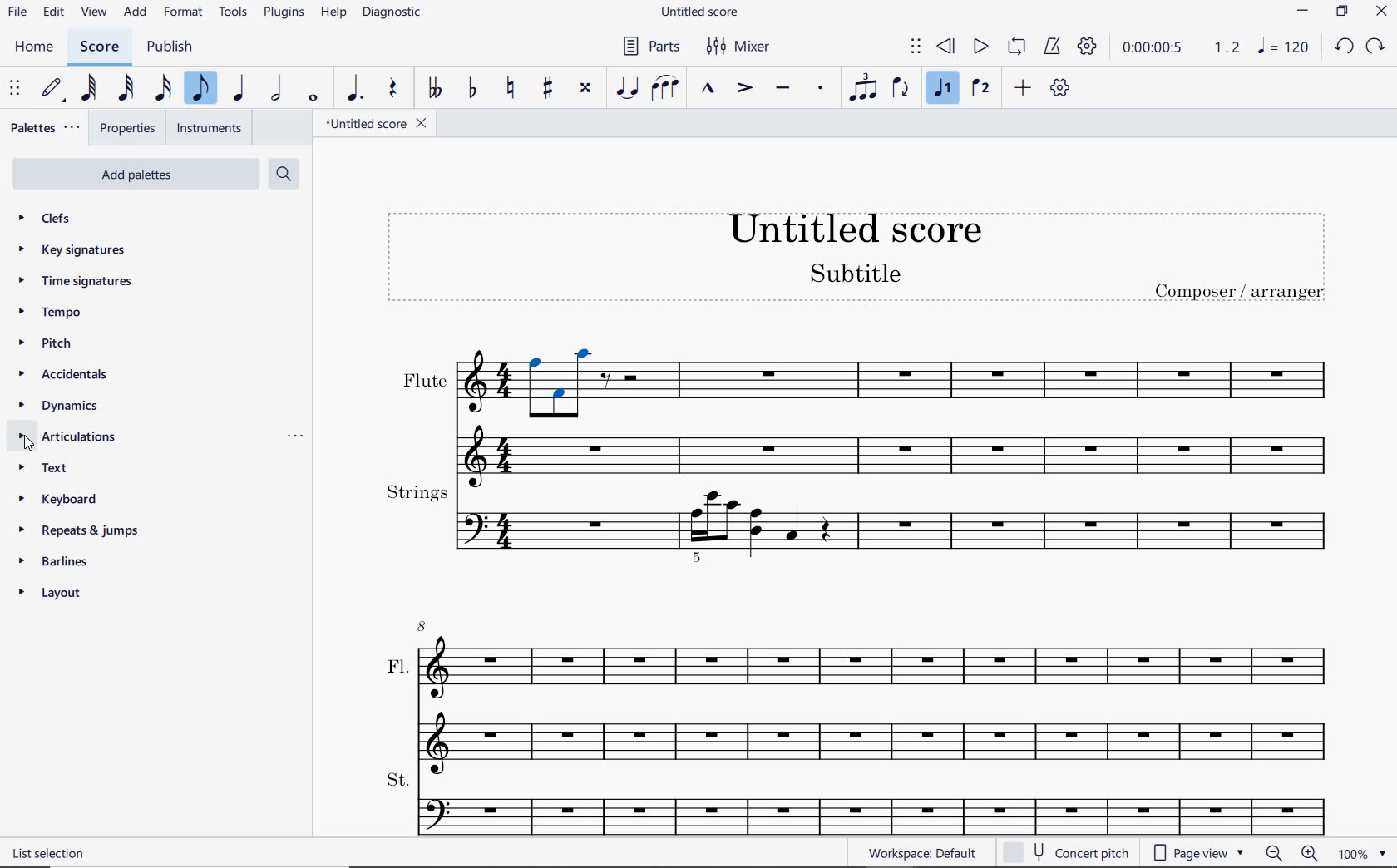 The image size is (1397, 868). I want to click on WHOLE NOTE, so click(313, 98).